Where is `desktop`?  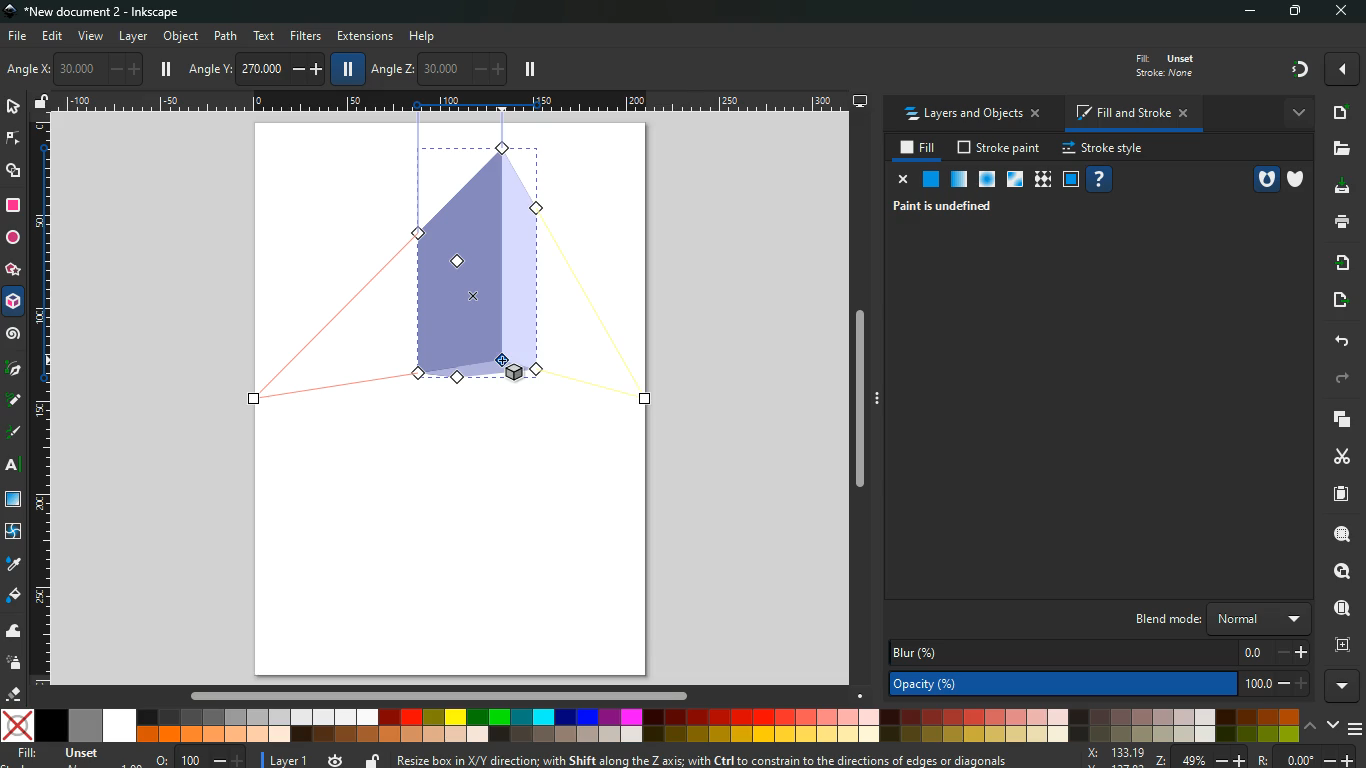
desktop is located at coordinates (861, 101).